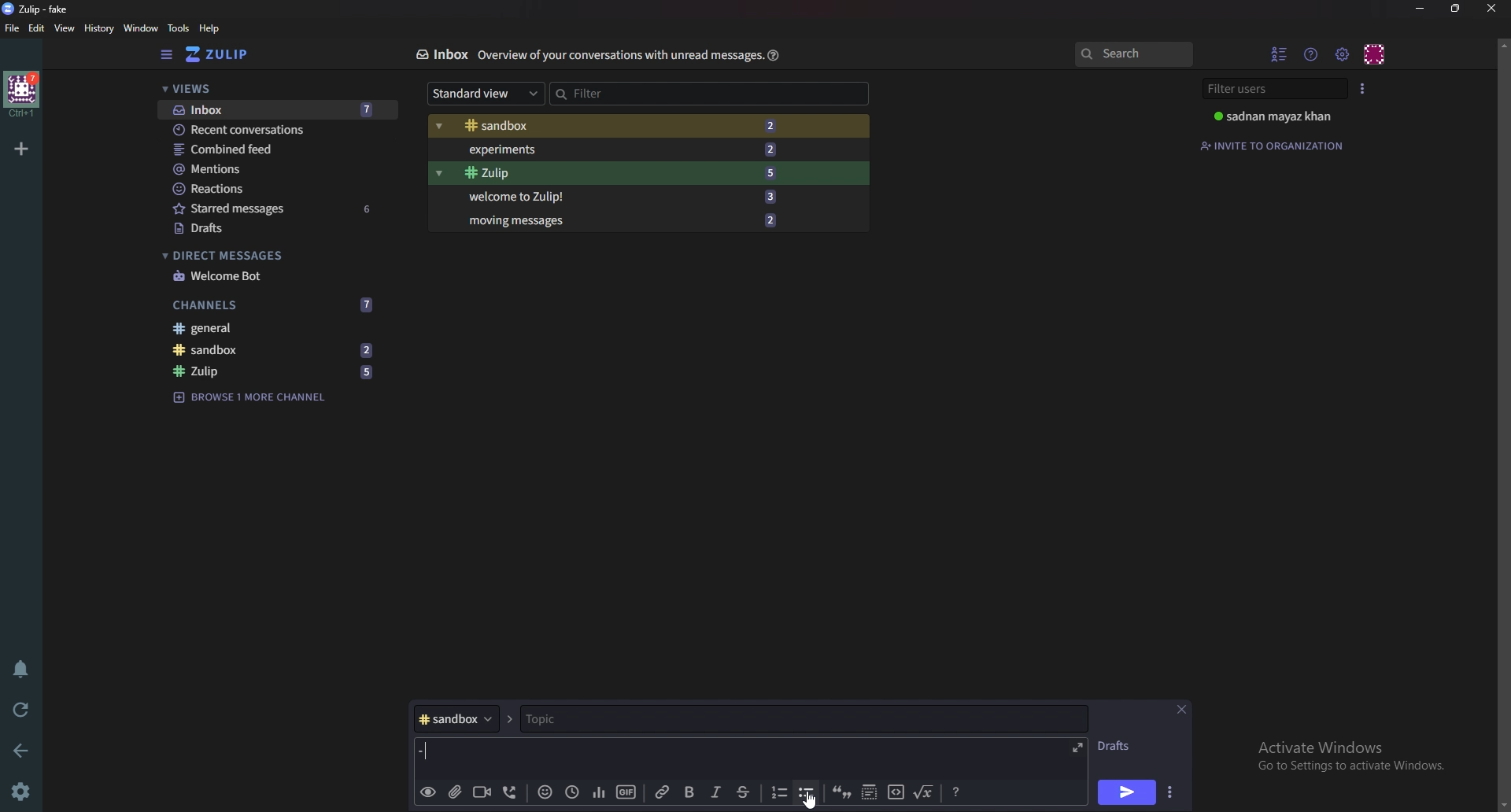  I want to click on welcome bot, so click(273, 276).